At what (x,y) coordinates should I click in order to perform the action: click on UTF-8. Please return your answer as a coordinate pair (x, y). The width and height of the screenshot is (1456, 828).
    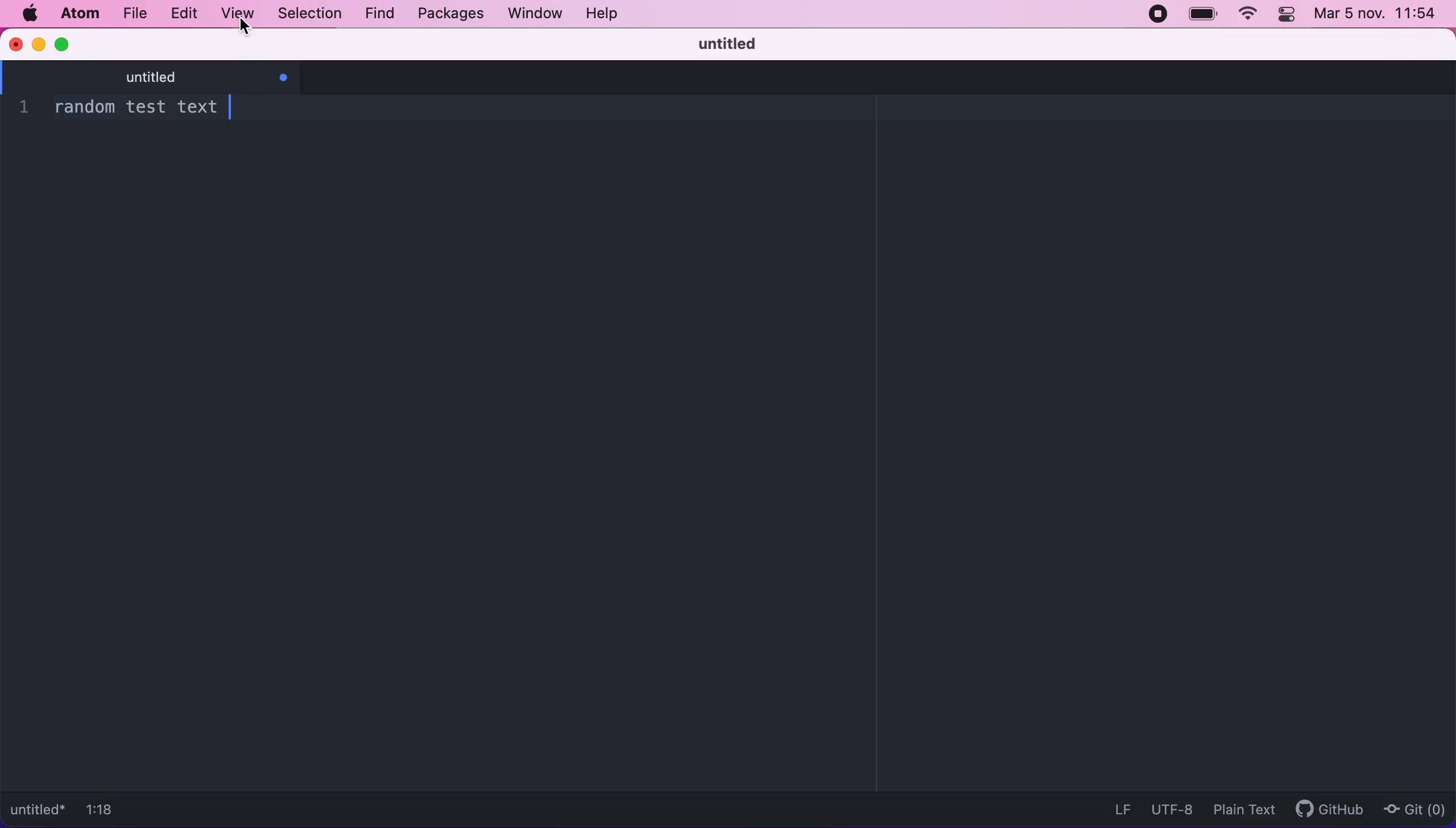
    Looking at the image, I should click on (1169, 807).